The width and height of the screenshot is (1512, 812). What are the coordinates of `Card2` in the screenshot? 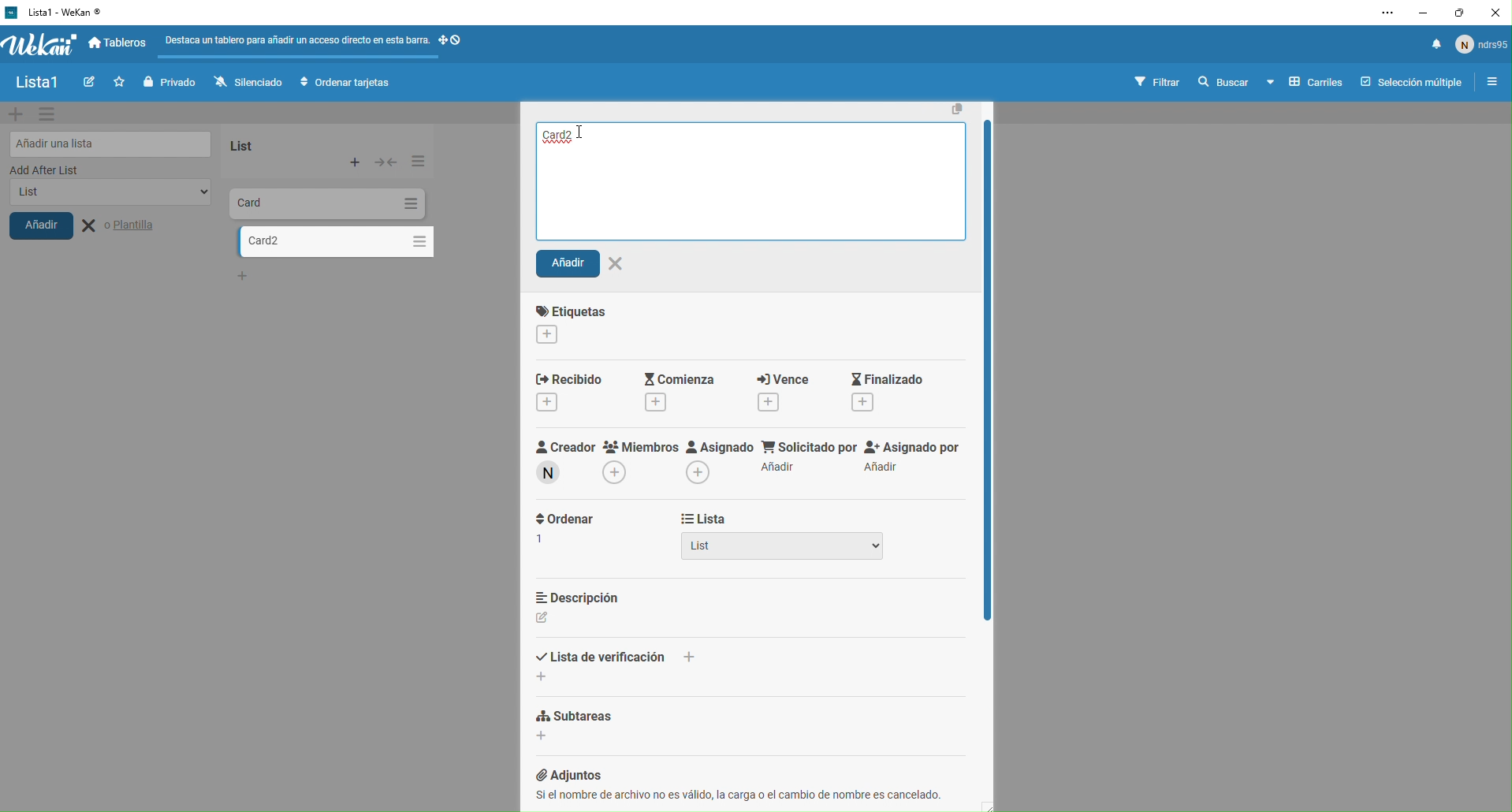 It's located at (562, 136).